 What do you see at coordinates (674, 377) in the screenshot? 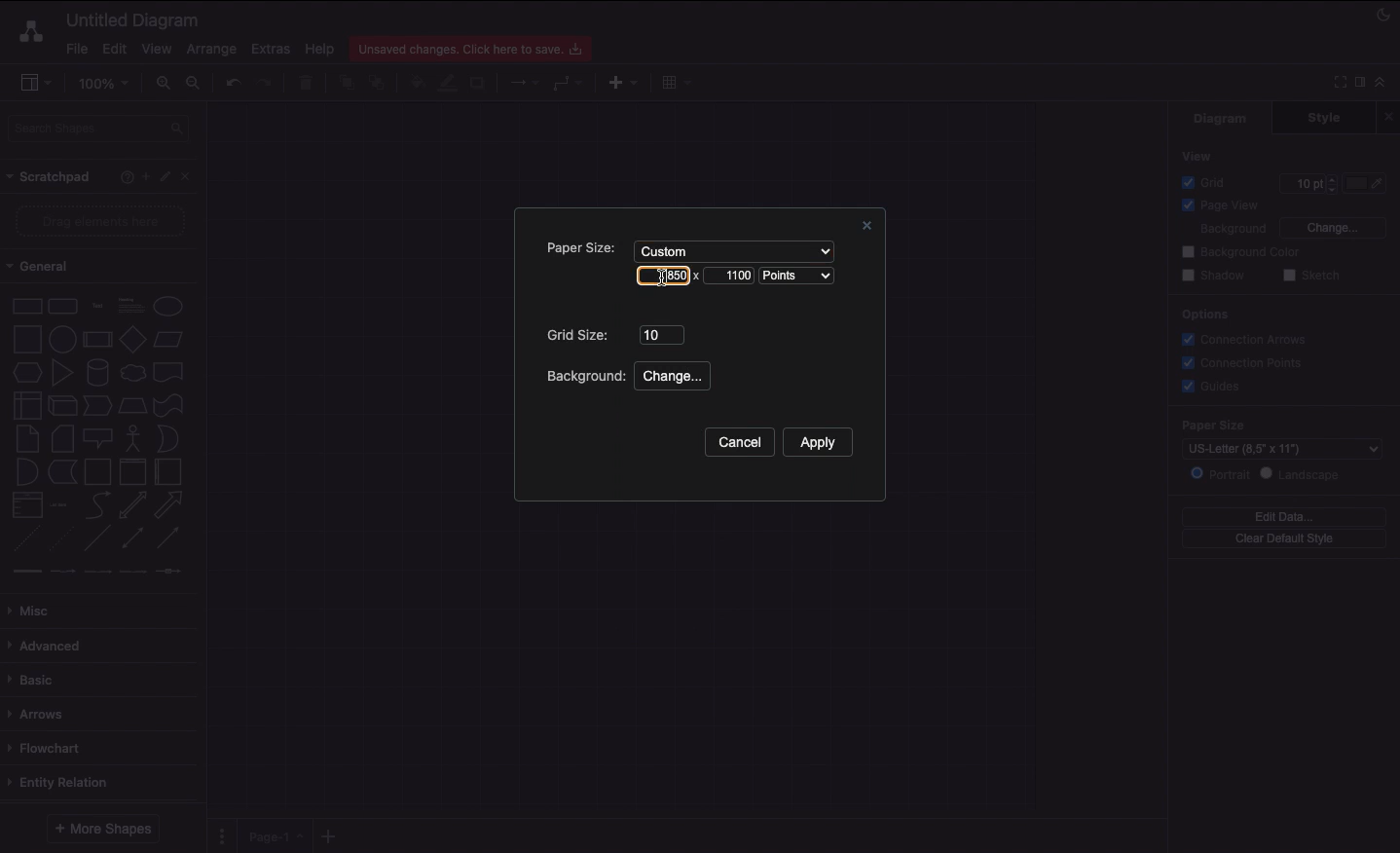
I see `Change...` at bounding box center [674, 377].